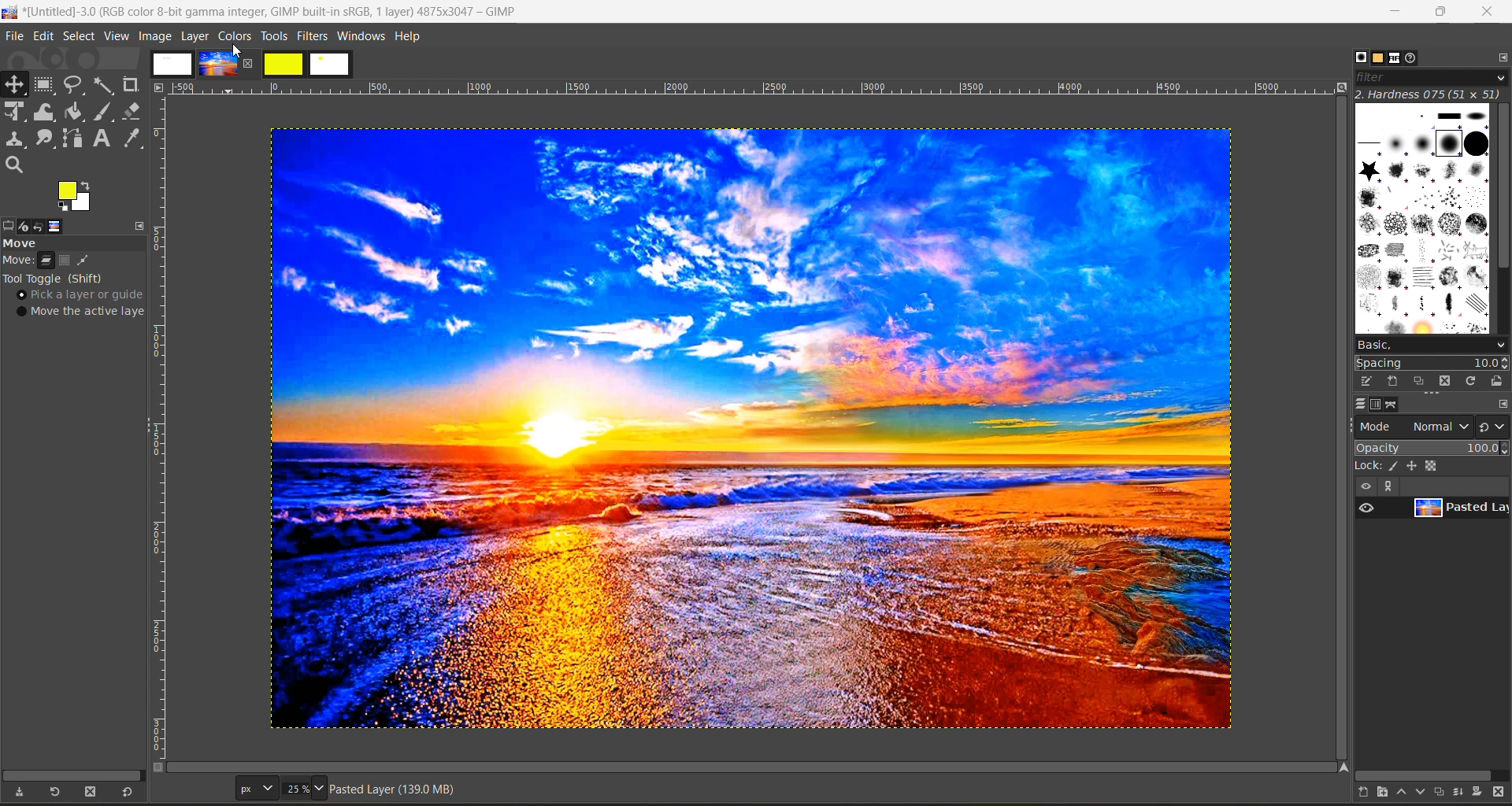  What do you see at coordinates (1465, 794) in the screenshot?
I see `merge this layer` at bounding box center [1465, 794].